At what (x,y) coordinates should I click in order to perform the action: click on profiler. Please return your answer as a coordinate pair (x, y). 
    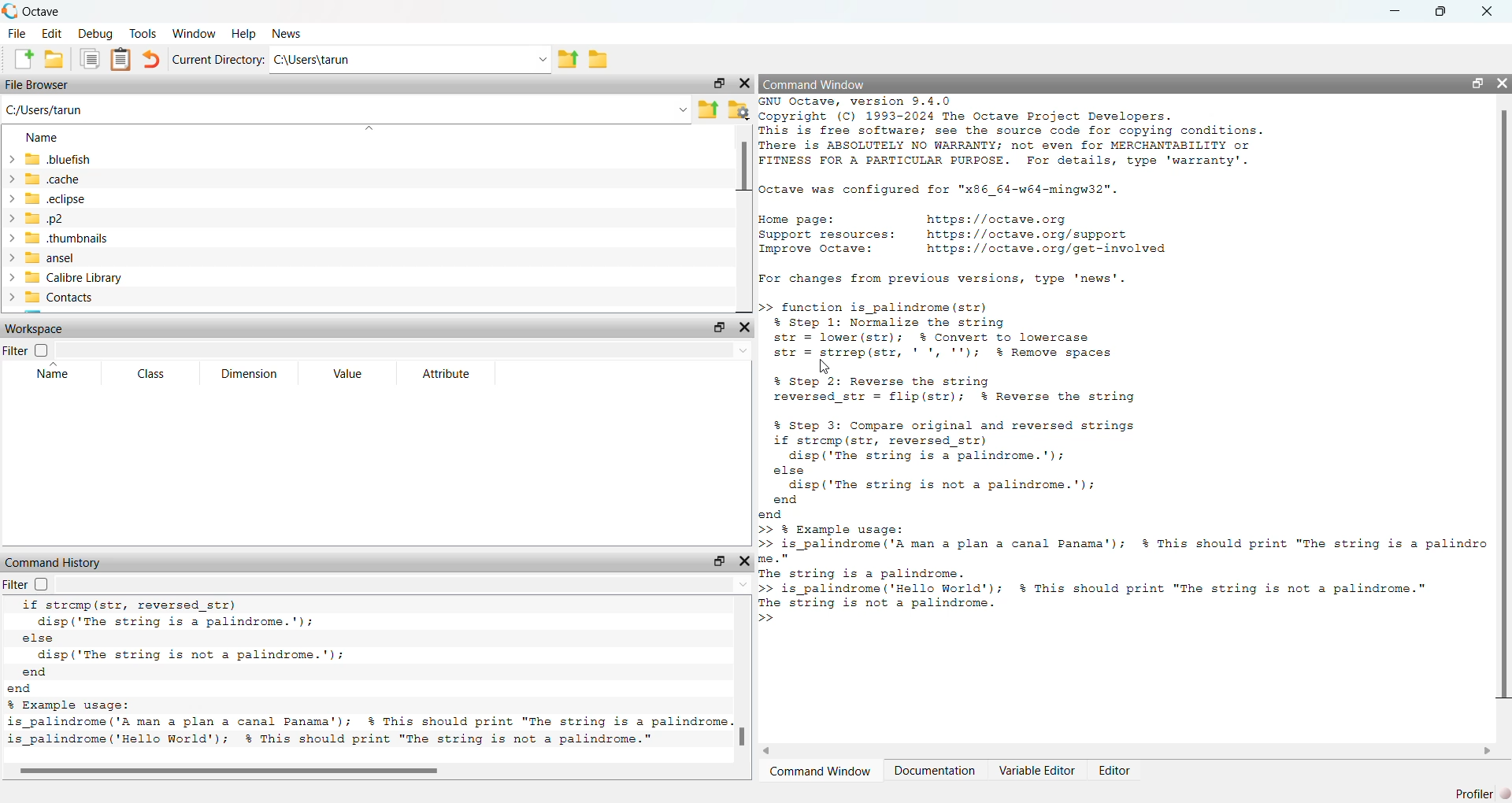
    Looking at the image, I should click on (1478, 793).